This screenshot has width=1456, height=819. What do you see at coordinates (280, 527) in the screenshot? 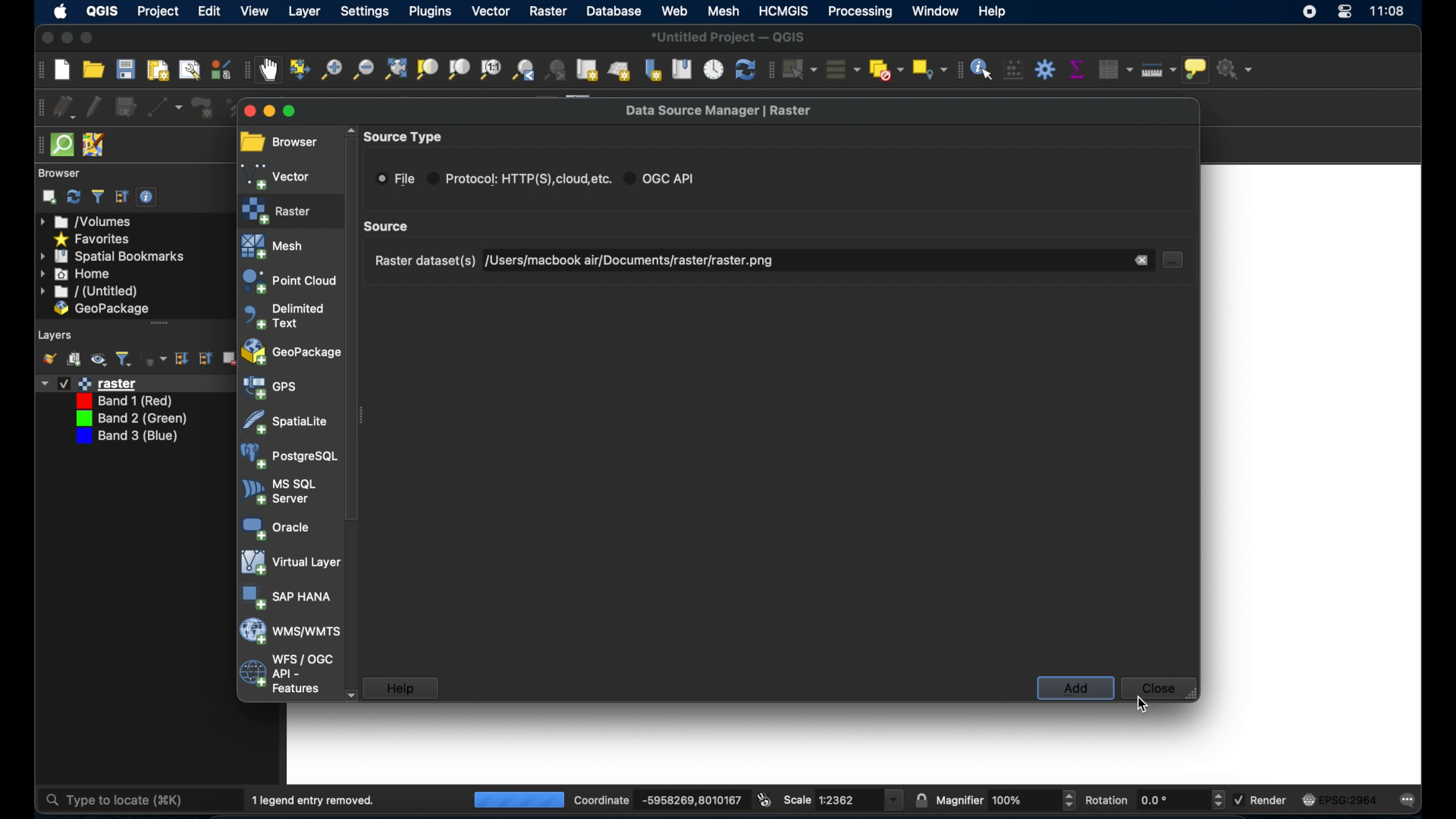
I see `oracle` at bounding box center [280, 527].